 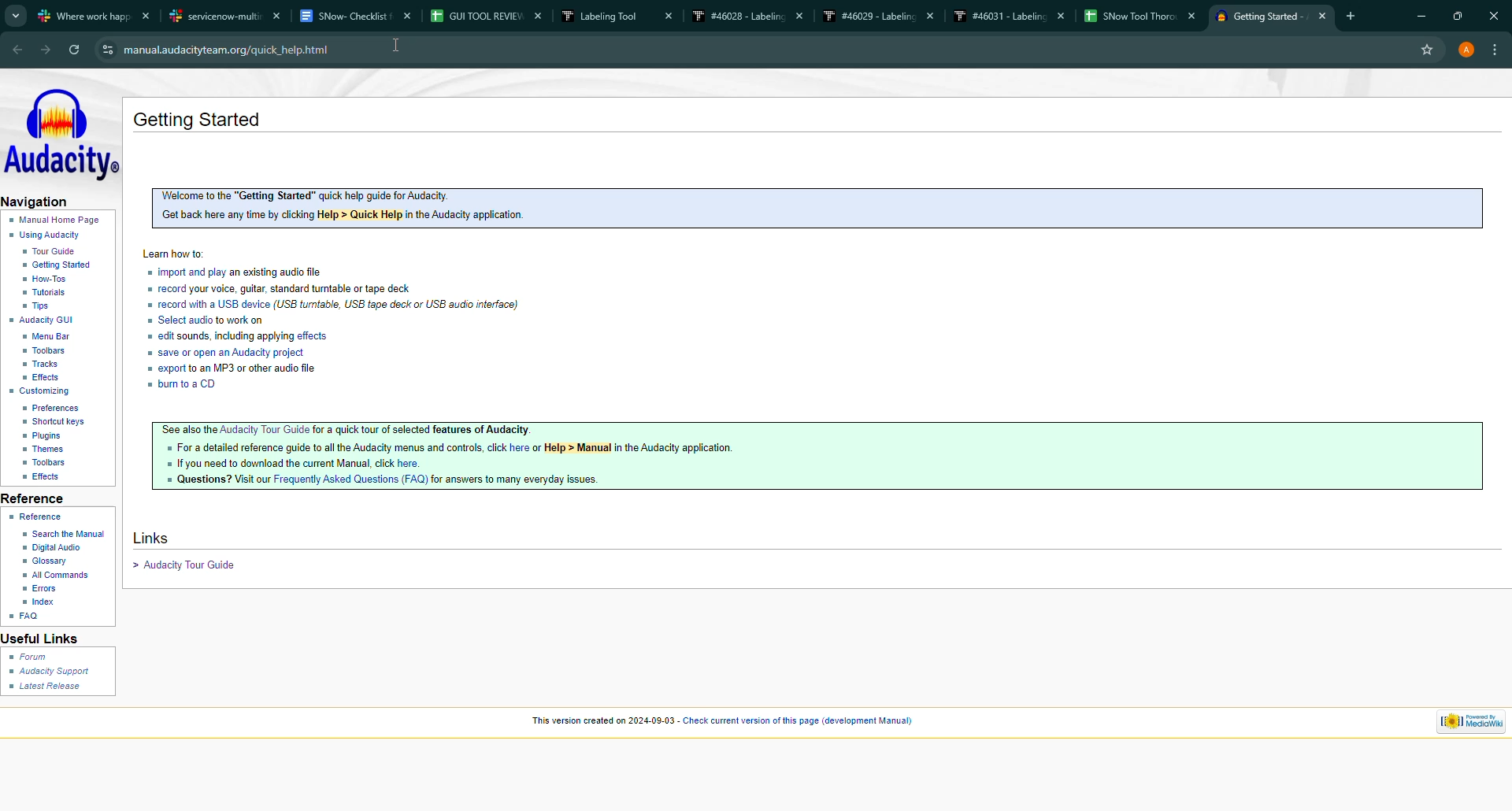 I want to click on search, so click(x=66, y=535).